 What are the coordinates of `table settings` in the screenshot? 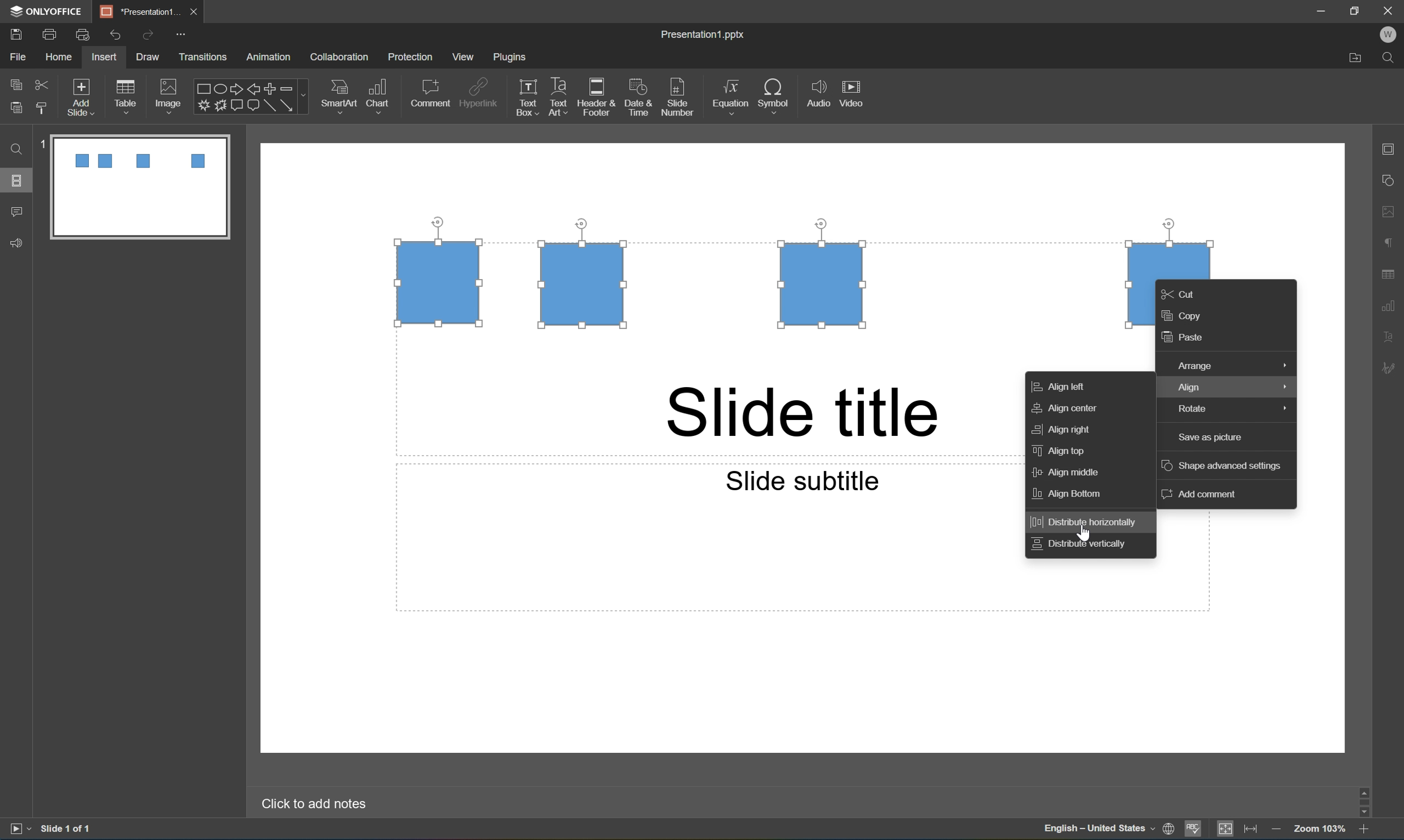 It's located at (1389, 272).